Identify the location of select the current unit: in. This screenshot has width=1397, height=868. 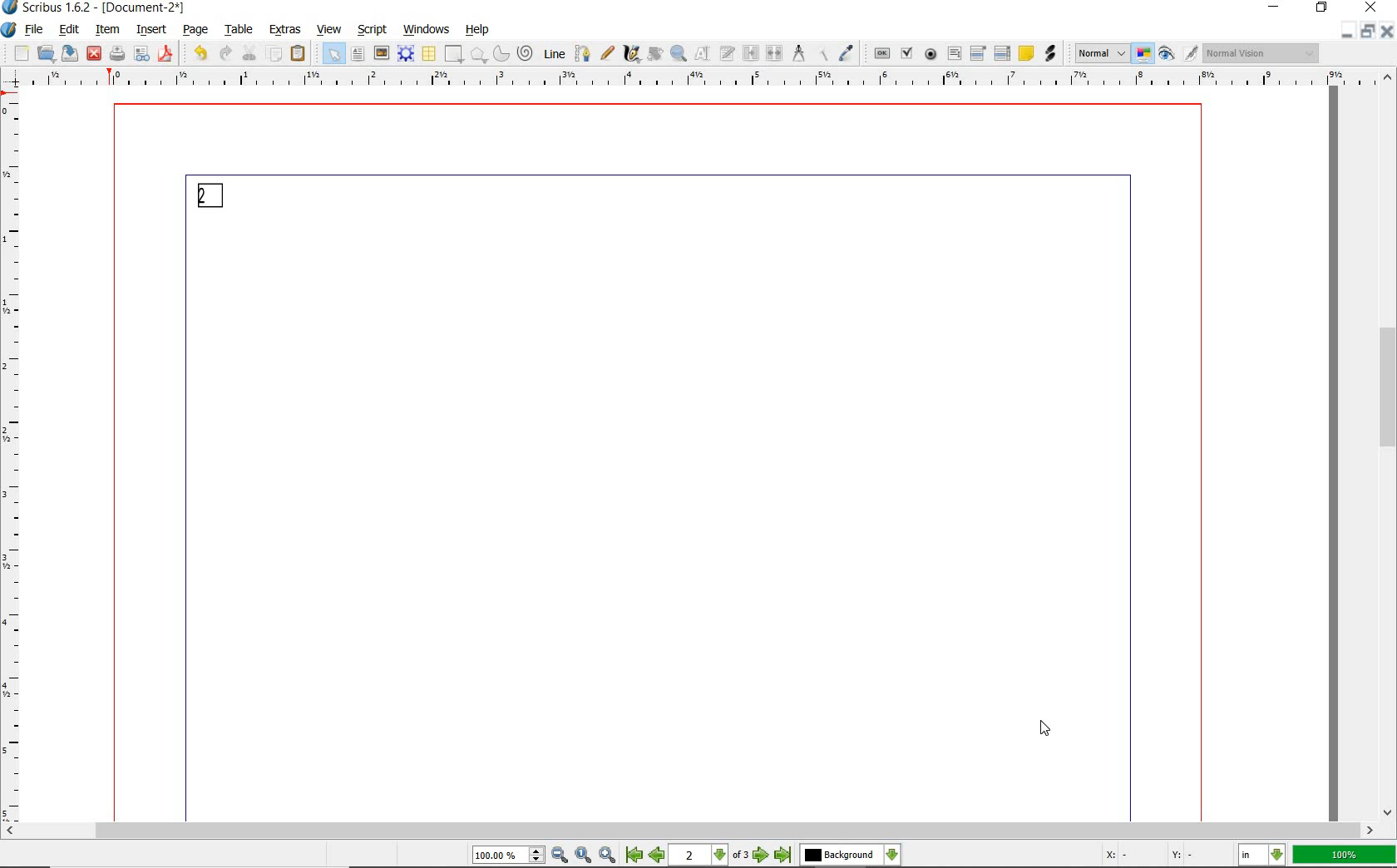
(1263, 856).